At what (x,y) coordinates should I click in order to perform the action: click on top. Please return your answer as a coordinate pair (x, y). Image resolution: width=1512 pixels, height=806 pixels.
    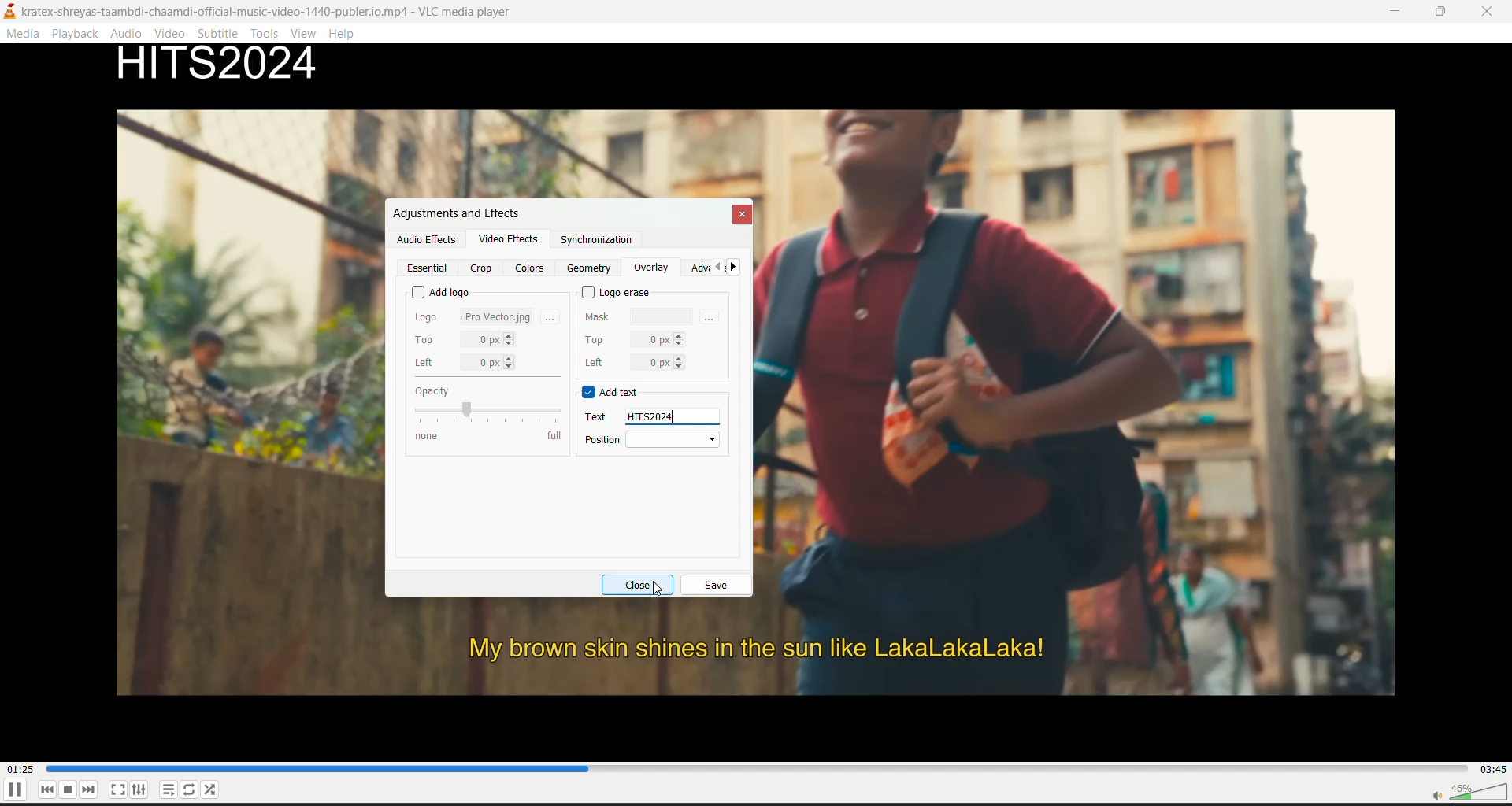
    Looking at the image, I should click on (465, 340).